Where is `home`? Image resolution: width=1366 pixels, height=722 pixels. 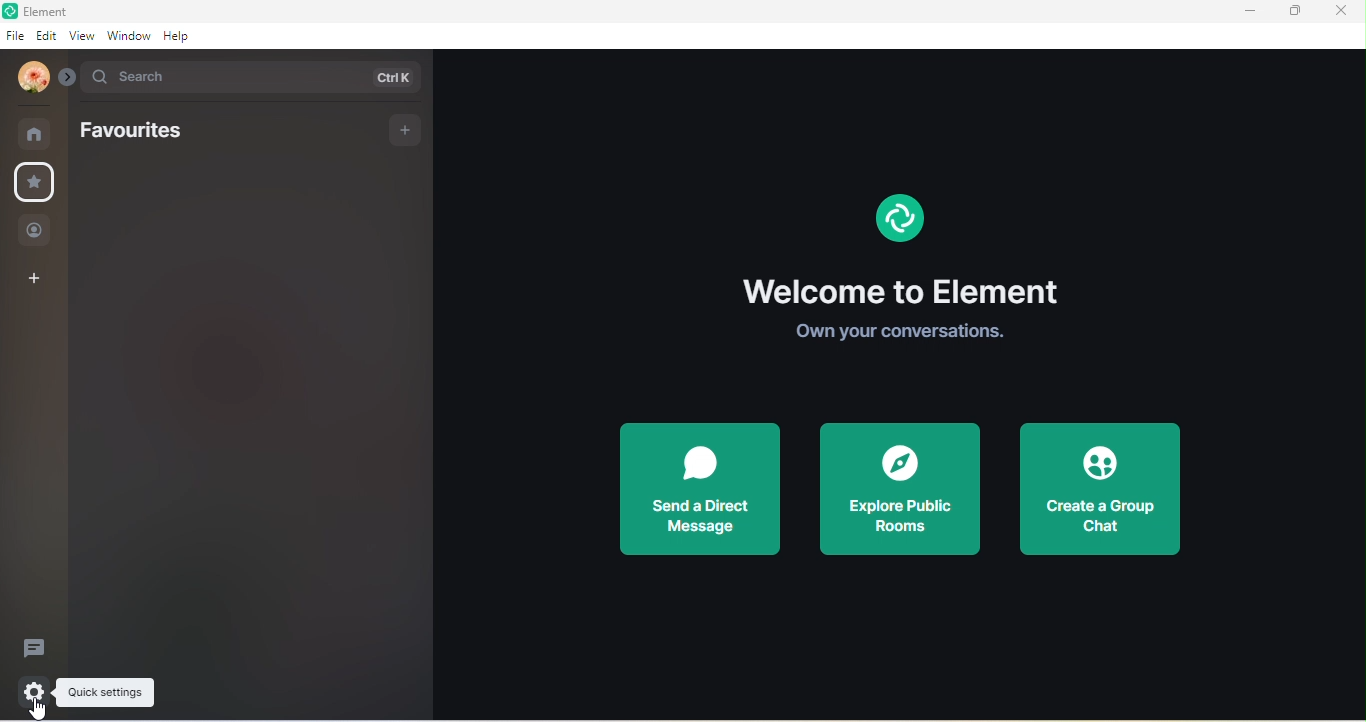 home is located at coordinates (36, 133).